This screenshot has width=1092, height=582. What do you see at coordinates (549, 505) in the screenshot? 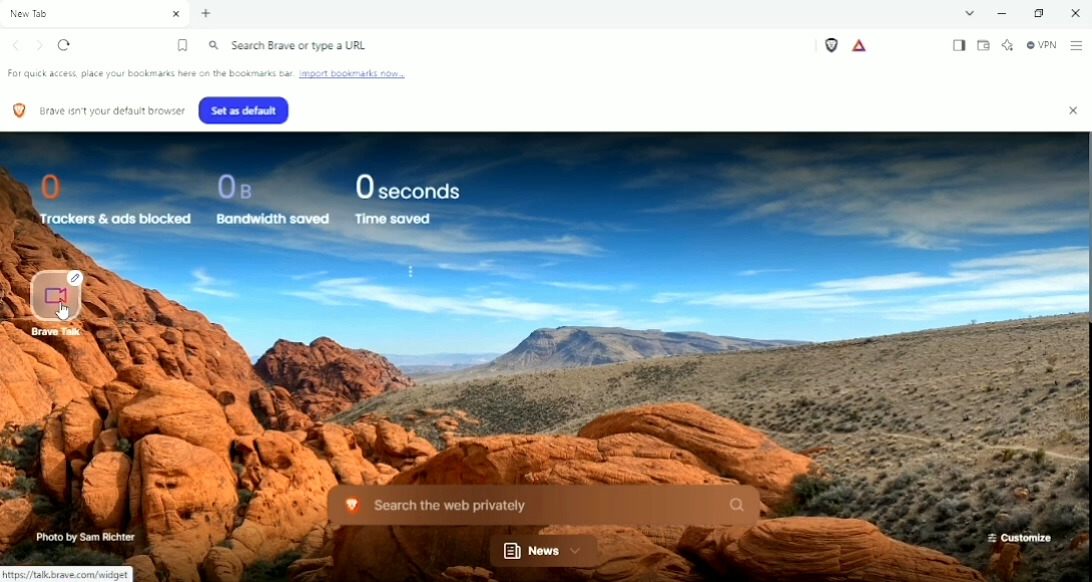
I see `Search the web privately` at bounding box center [549, 505].